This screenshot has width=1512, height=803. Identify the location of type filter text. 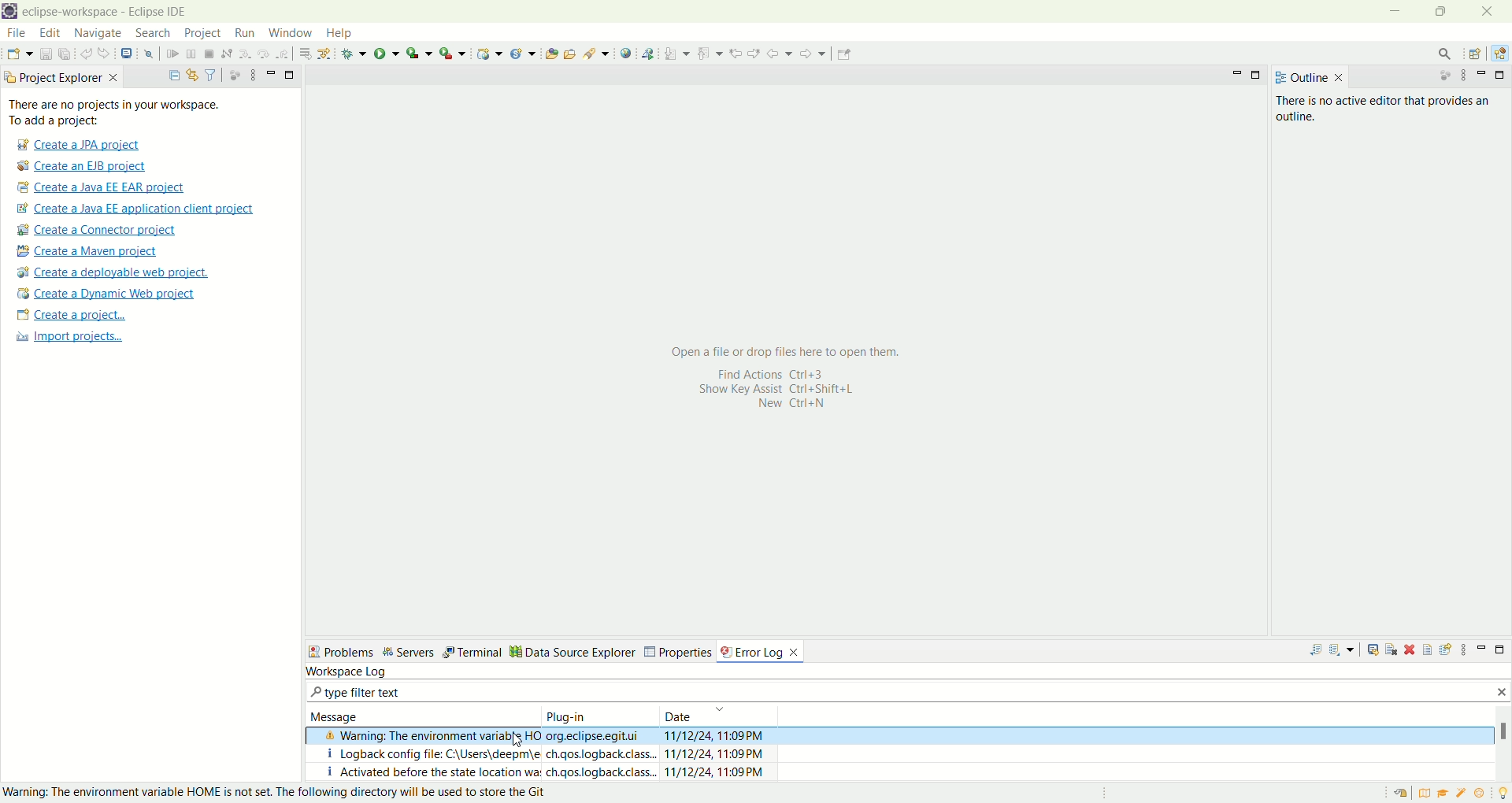
(370, 691).